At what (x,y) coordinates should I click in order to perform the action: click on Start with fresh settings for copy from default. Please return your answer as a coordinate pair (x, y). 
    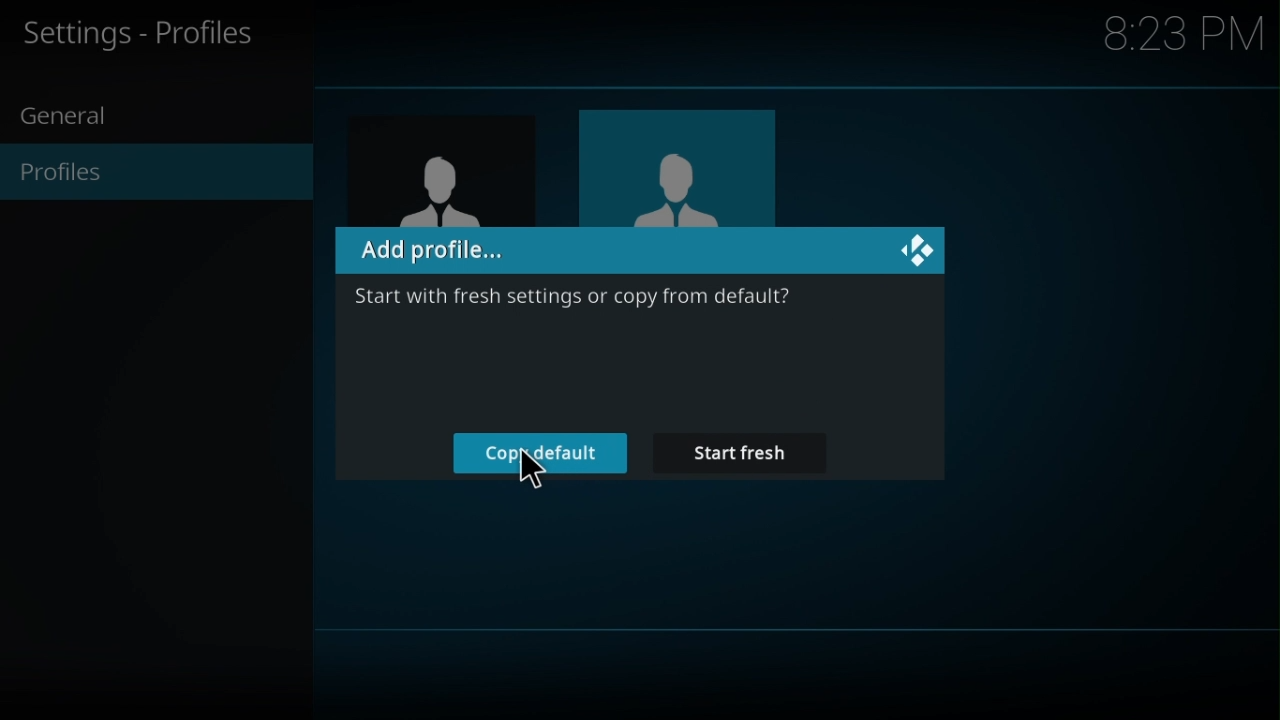
    Looking at the image, I should click on (589, 302).